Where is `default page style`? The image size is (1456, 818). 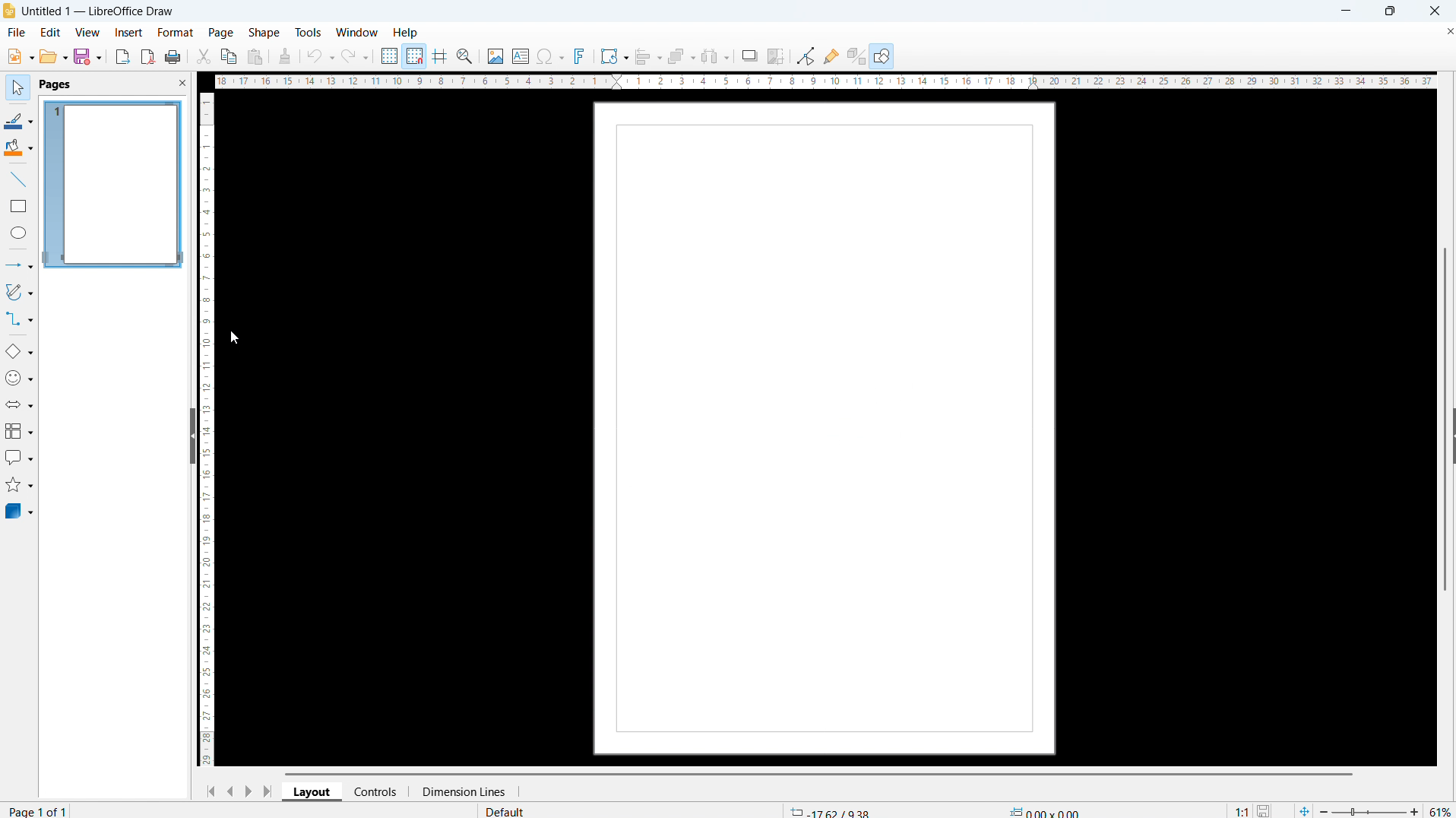
default page style is located at coordinates (505, 811).